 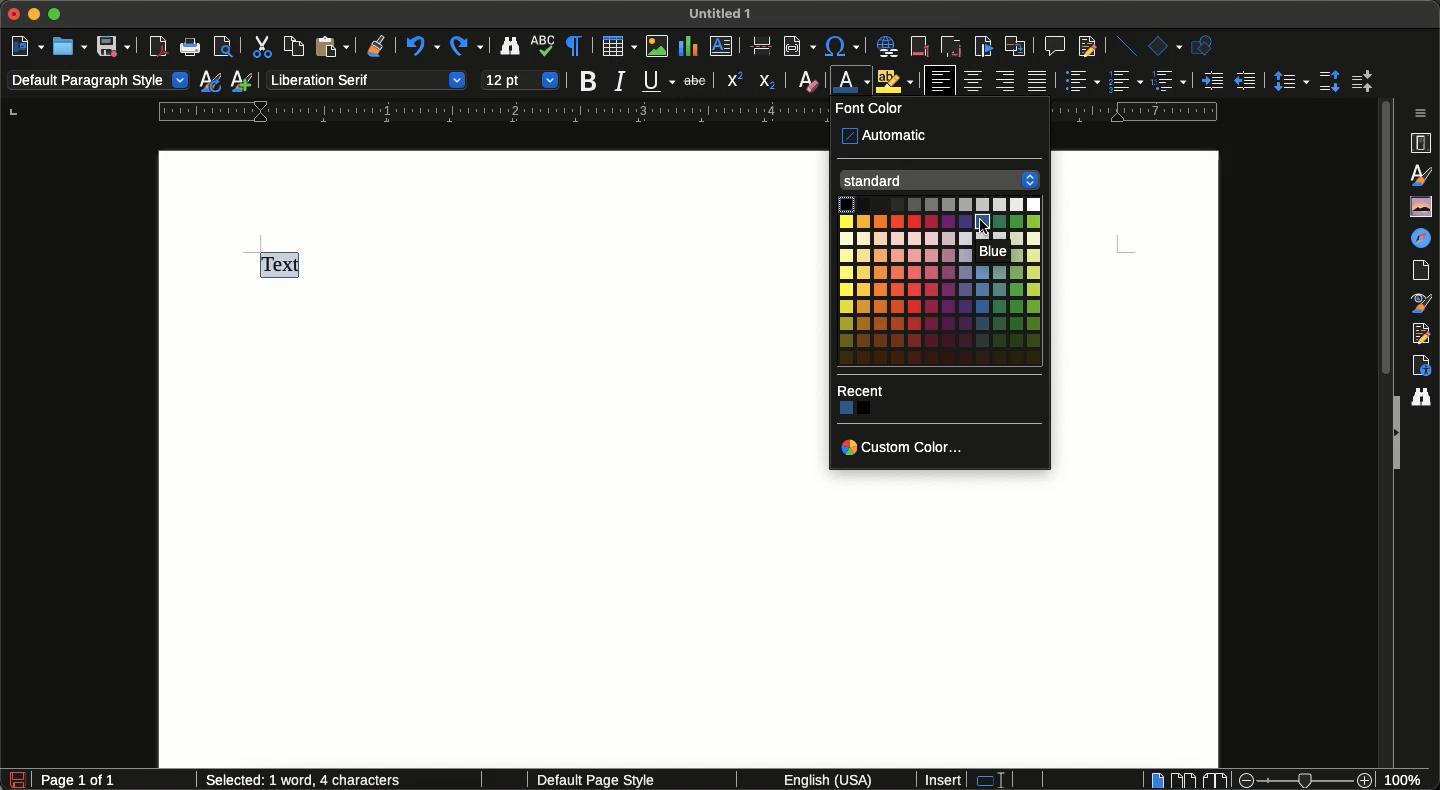 I want to click on Bold, so click(x=589, y=82).